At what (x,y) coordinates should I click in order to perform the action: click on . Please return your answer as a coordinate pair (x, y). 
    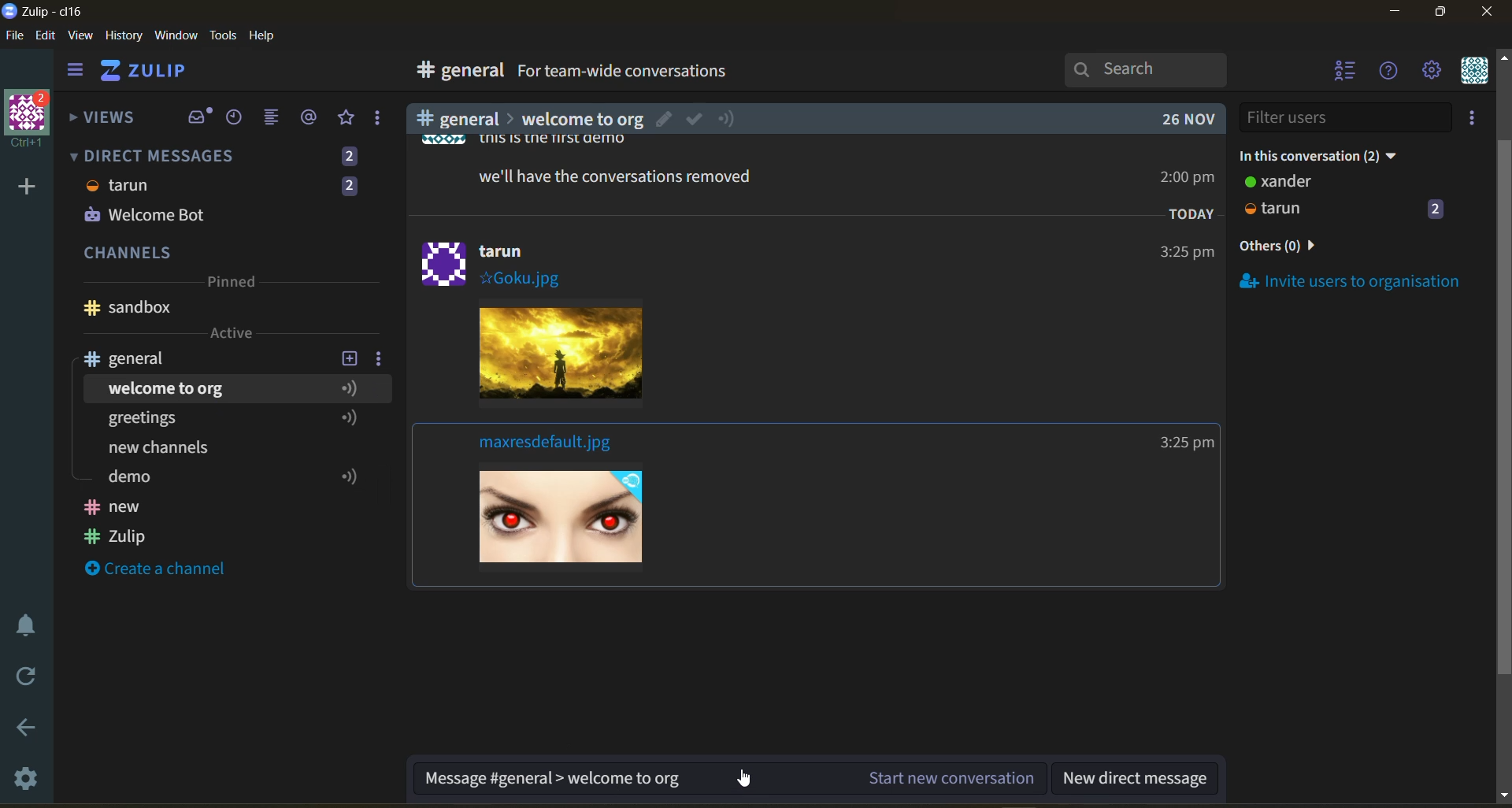
    Looking at the image, I should click on (1184, 444).